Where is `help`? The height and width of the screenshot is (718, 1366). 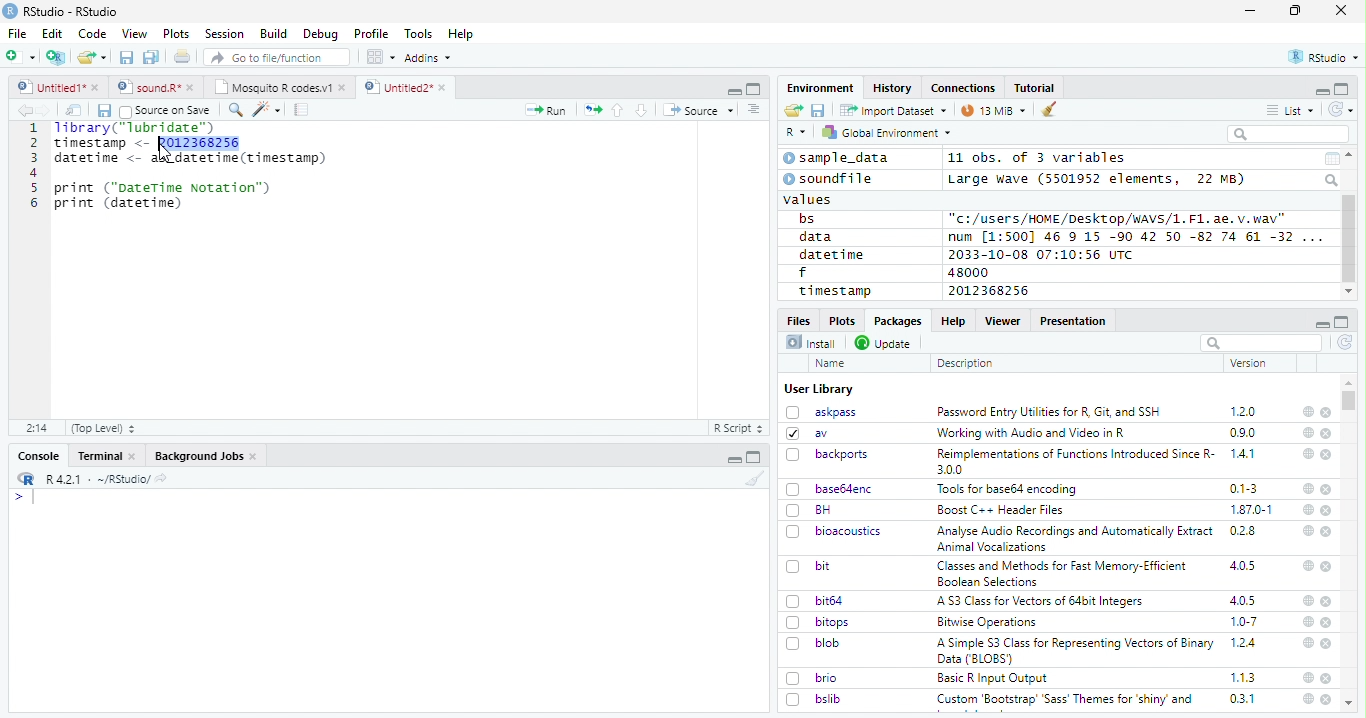
help is located at coordinates (1306, 530).